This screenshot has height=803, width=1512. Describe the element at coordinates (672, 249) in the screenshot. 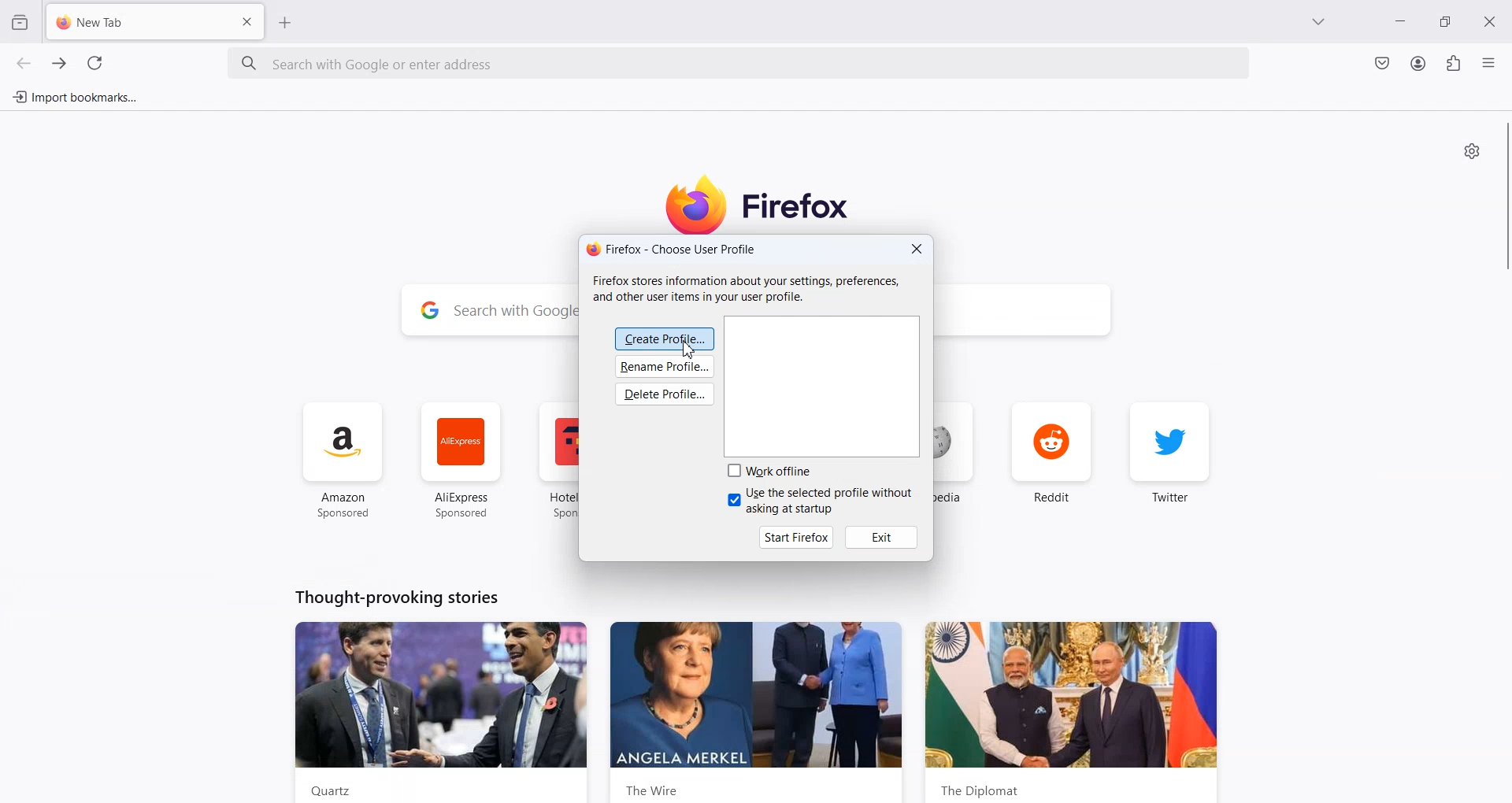

I see `Firefox - Choose User Profile` at that location.